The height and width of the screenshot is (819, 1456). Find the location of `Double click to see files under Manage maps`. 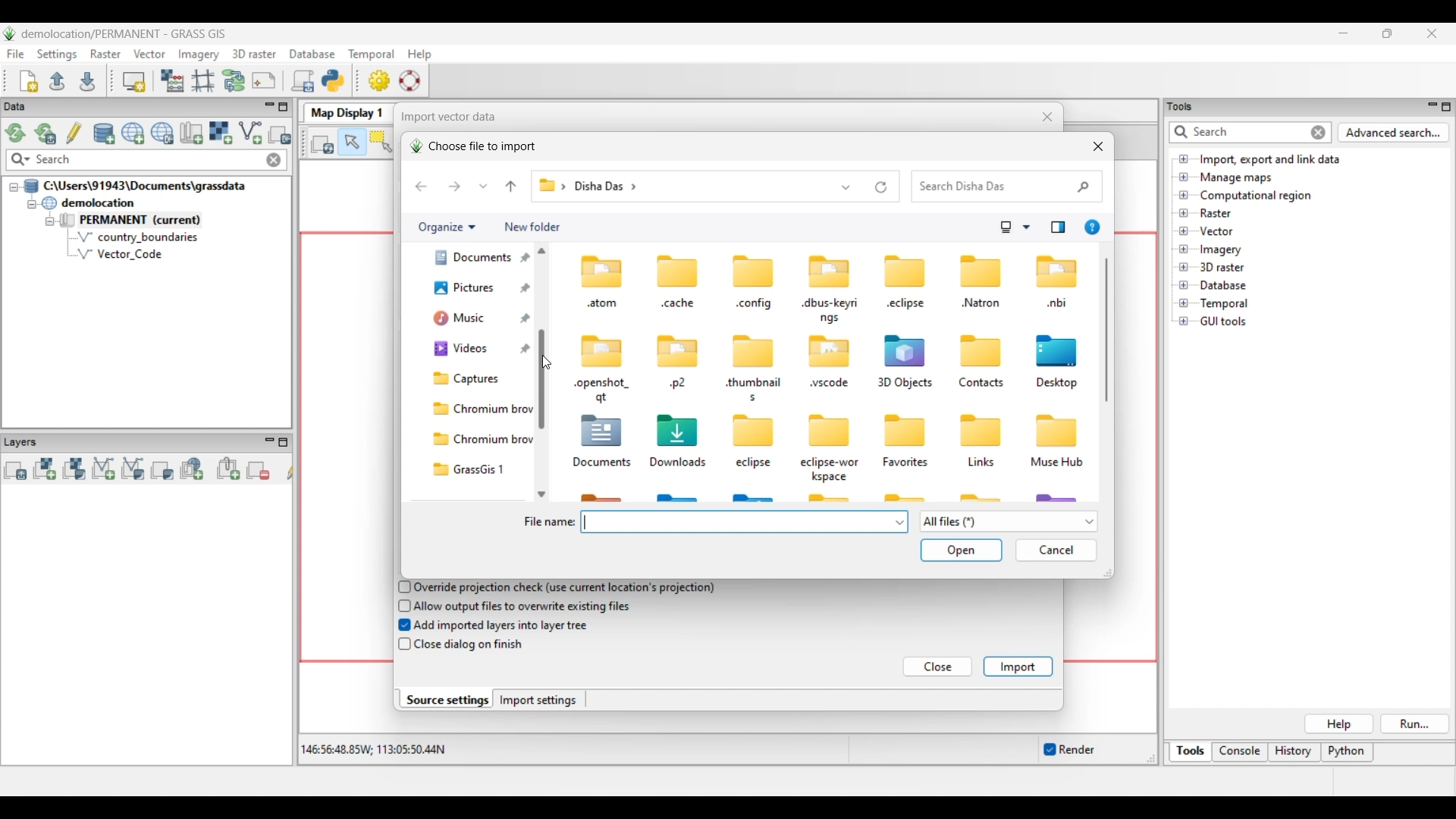

Double click to see files under Manage maps is located at coordinates (1237, 178).